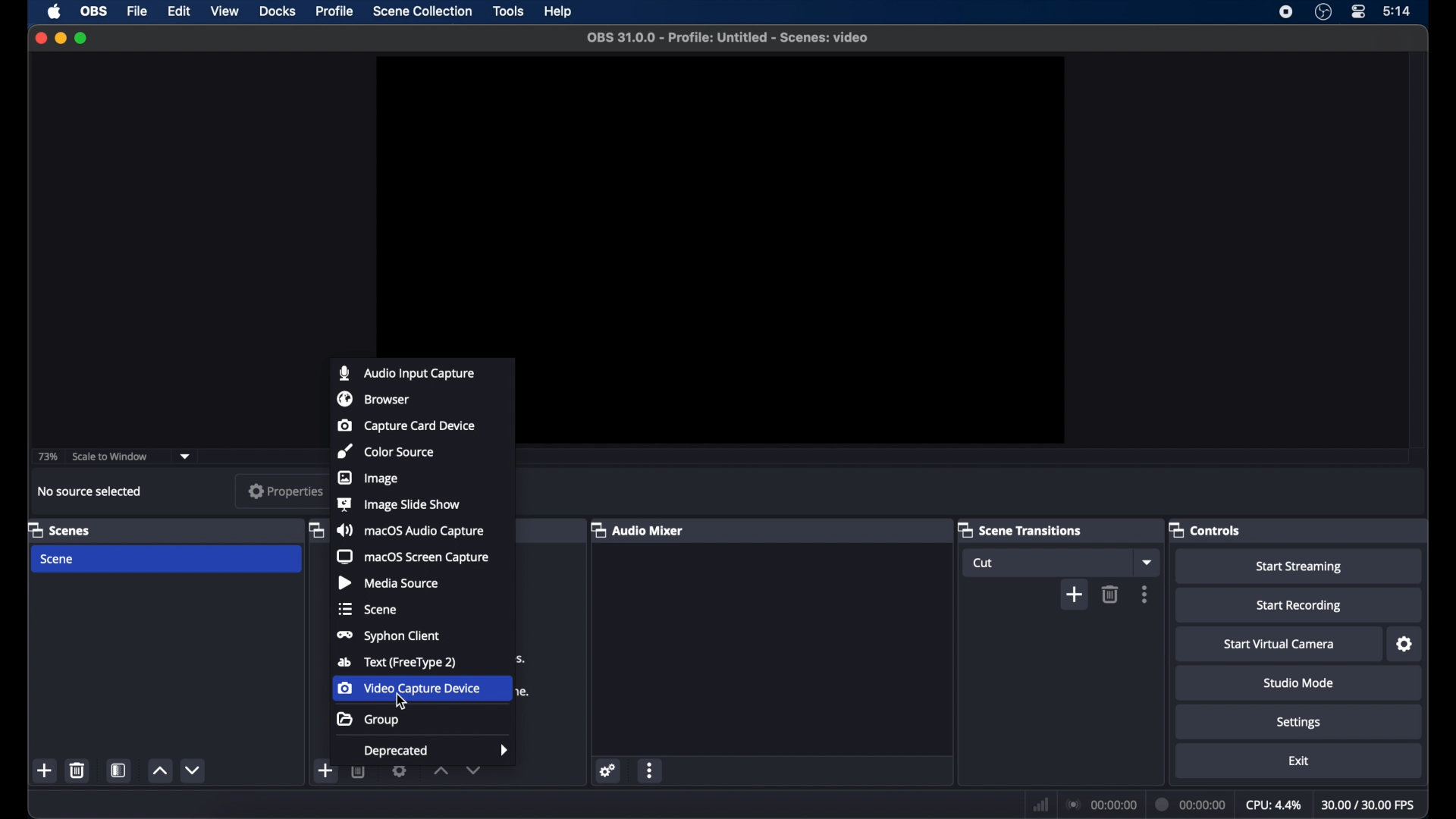 Image resolution: width=1456 pixels, height=819 pixels. What do you see at coordinates (1039, 805) in the screenshot?
I see `network` at bounding box center [1039, 805].